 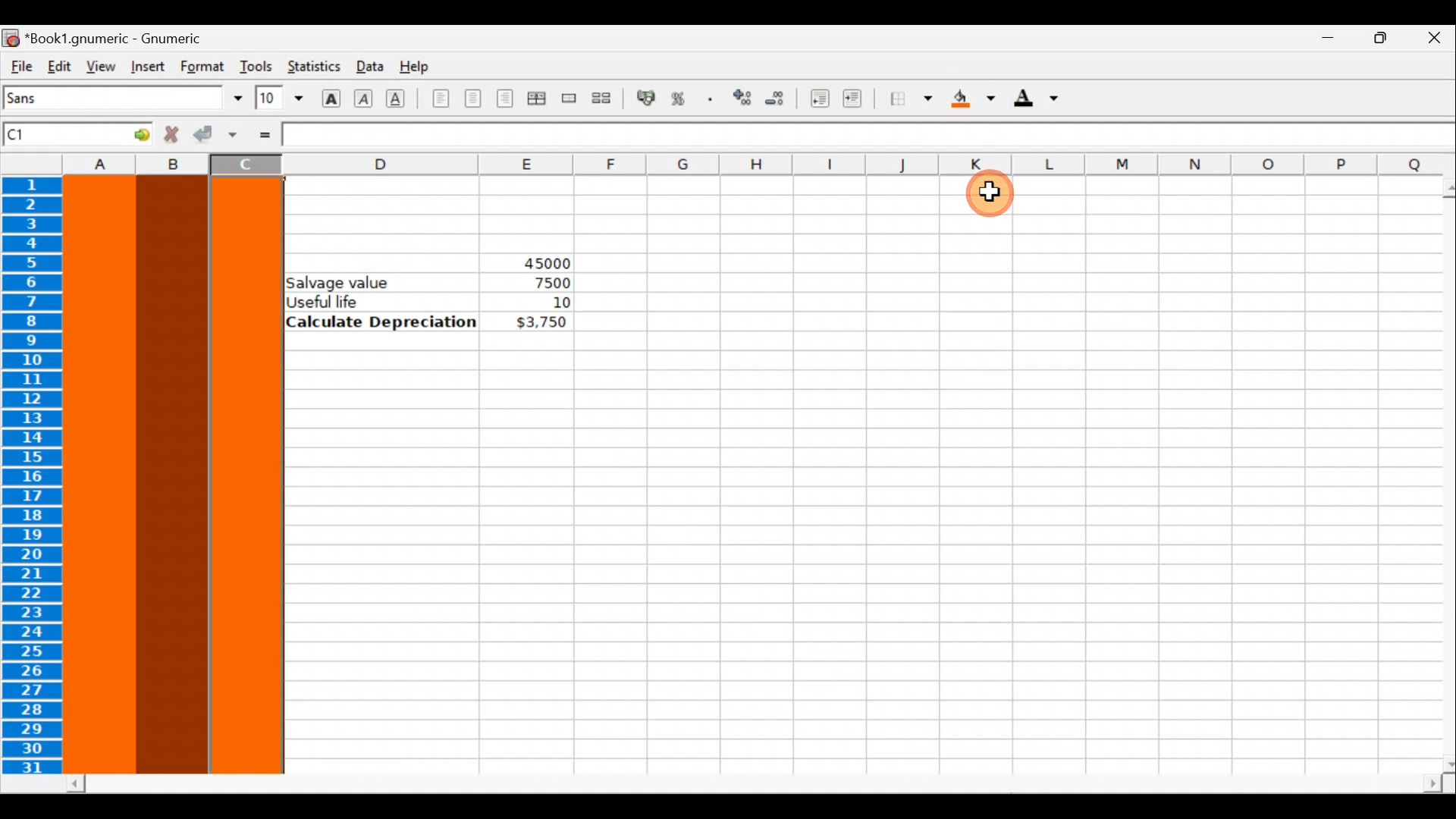 I want to click on Scroll bar, so click(x=755, y=784).